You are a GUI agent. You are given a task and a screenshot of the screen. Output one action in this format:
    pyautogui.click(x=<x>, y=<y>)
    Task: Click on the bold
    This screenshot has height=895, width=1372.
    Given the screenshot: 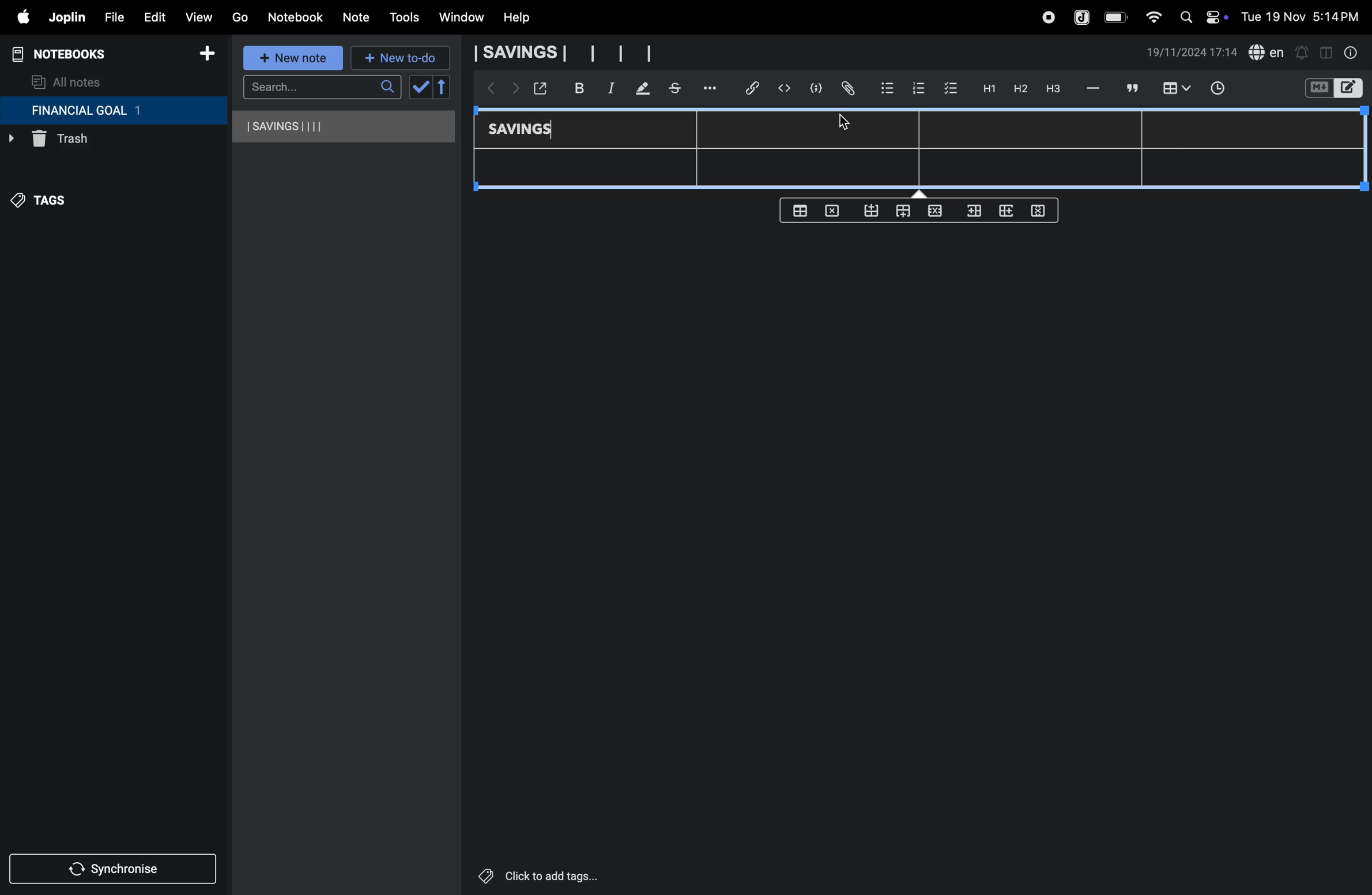 What is the action you would take?
    pyautogui.click(x=573, y=88)
    